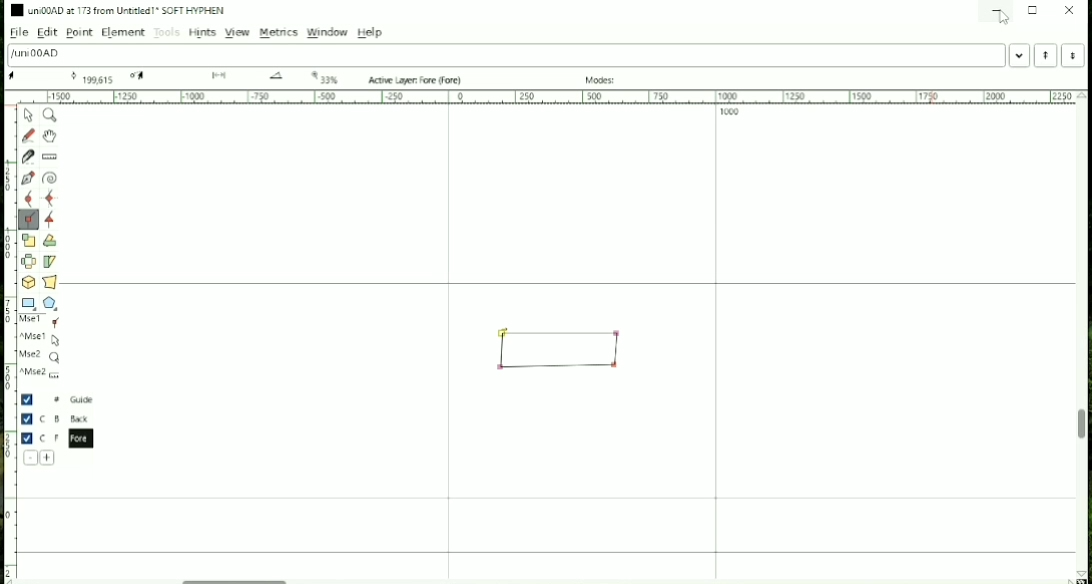  I want to click on ^Mse1, so click(42, 339).